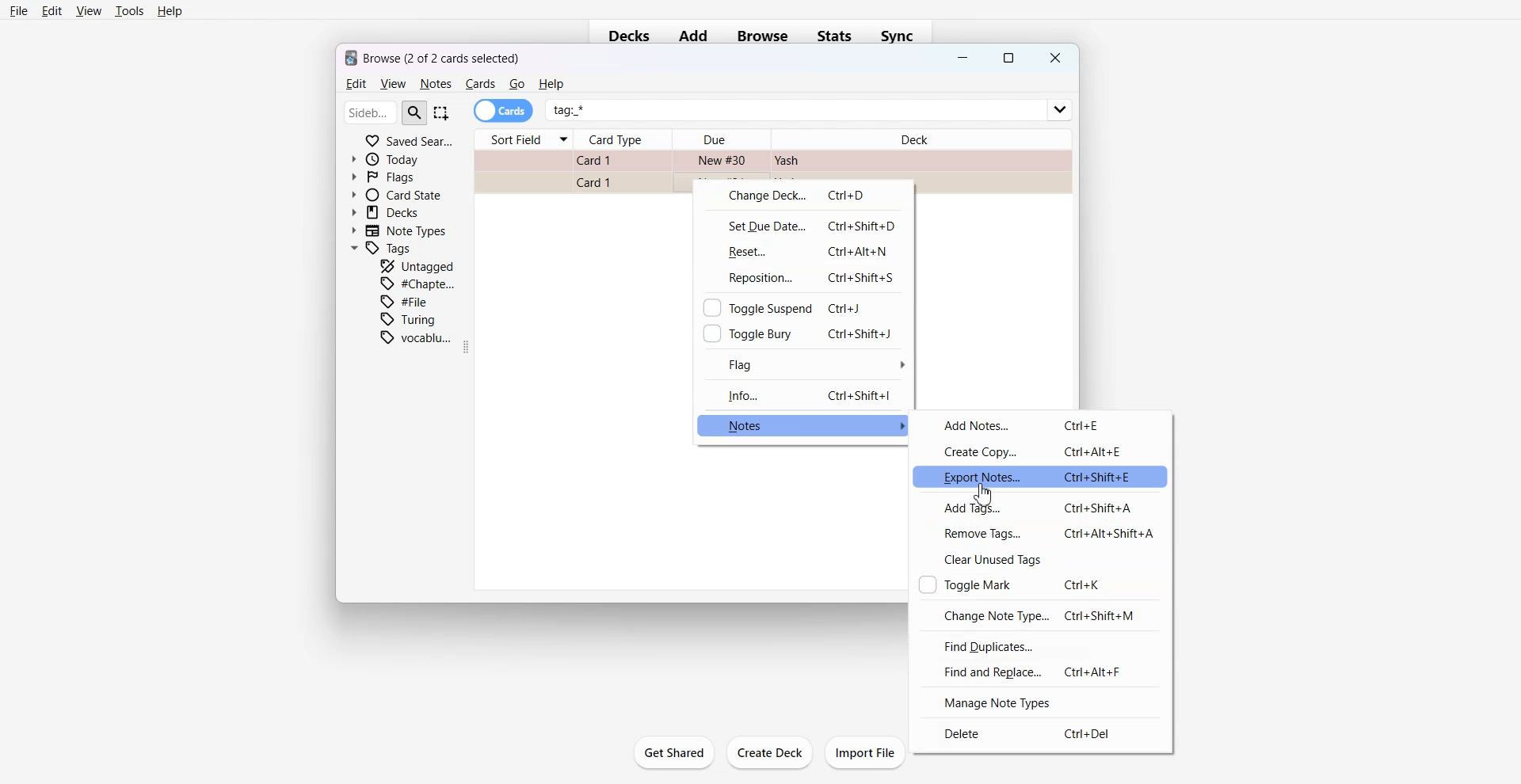  Describe the element at coordinates (409, 319) in the screenshot. I see `Turing` at that location.